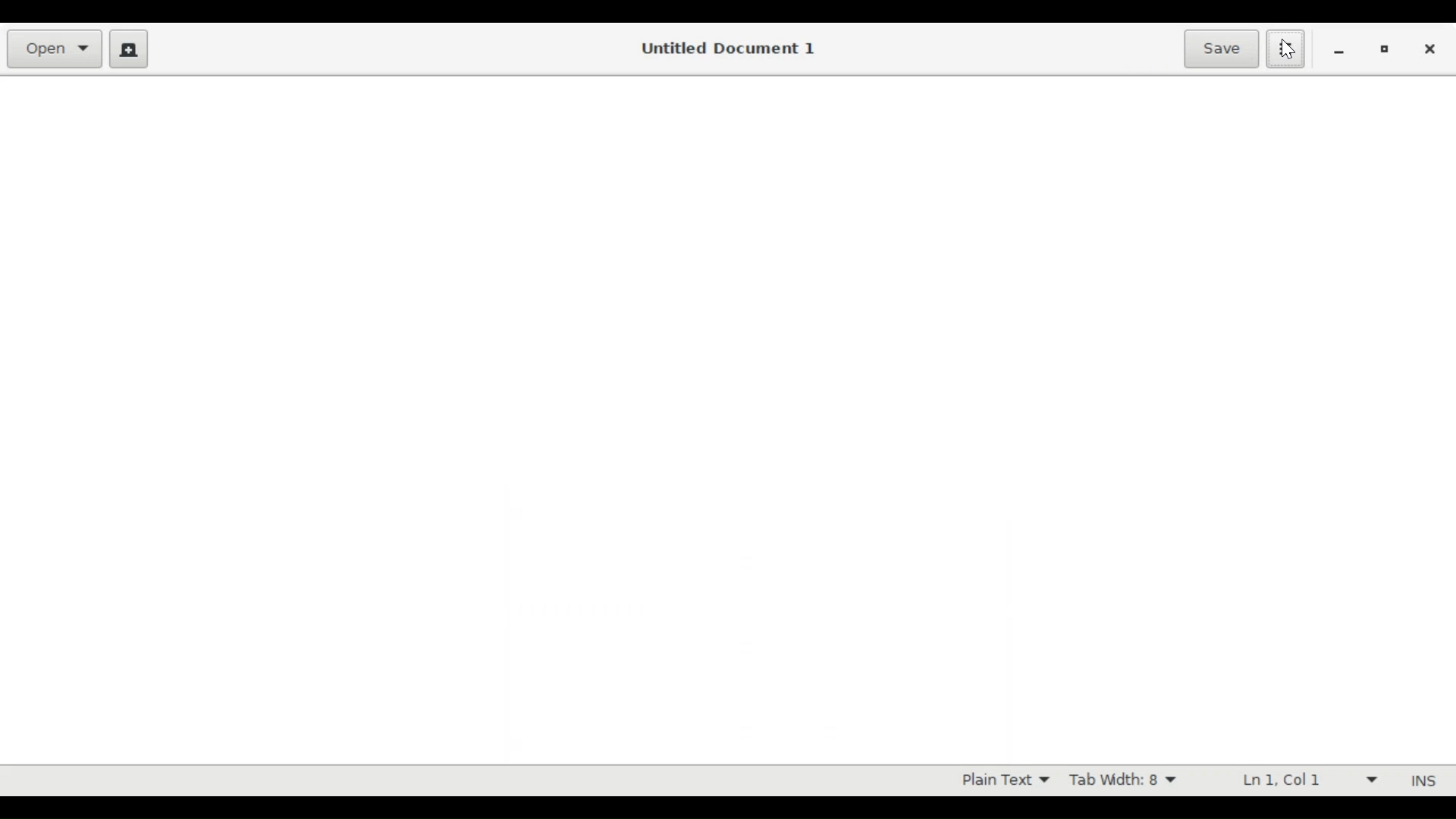 The image size is (1456, 819). I want to click on Untitled Document 1, so click(728, 49).